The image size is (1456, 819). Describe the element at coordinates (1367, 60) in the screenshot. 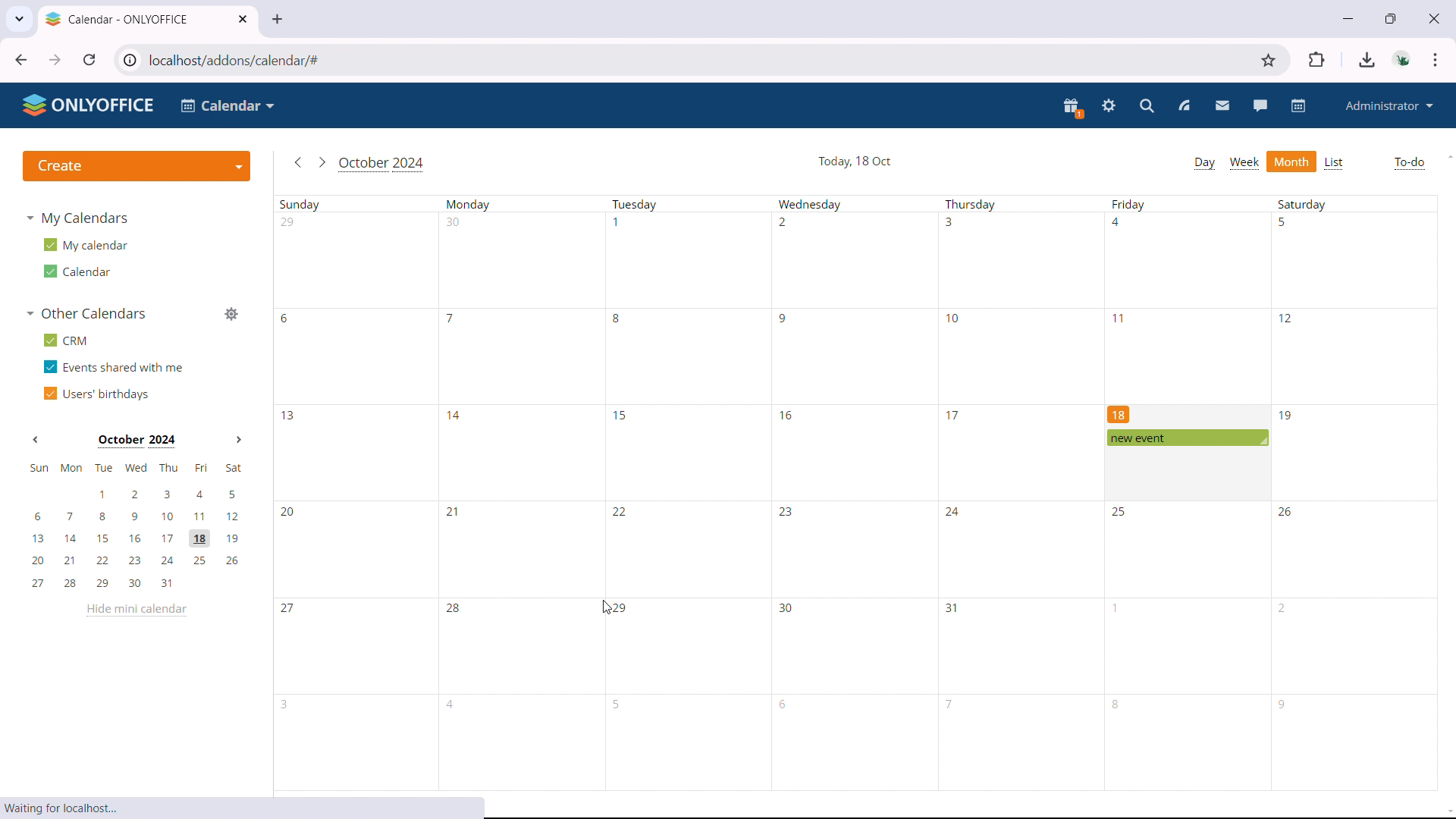

I see `downloads` at that location.